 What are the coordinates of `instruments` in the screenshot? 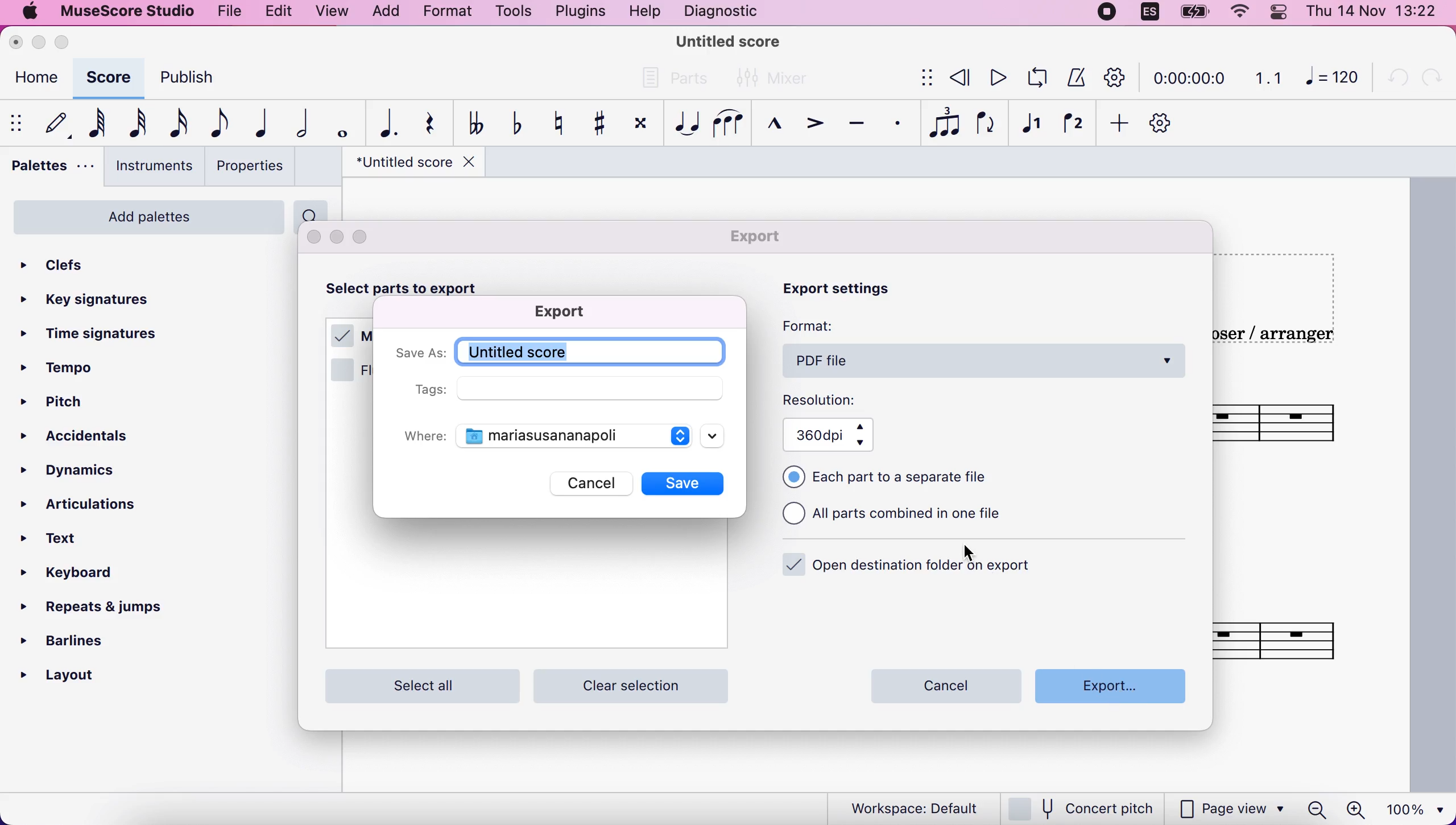 It's located at (149, 167).